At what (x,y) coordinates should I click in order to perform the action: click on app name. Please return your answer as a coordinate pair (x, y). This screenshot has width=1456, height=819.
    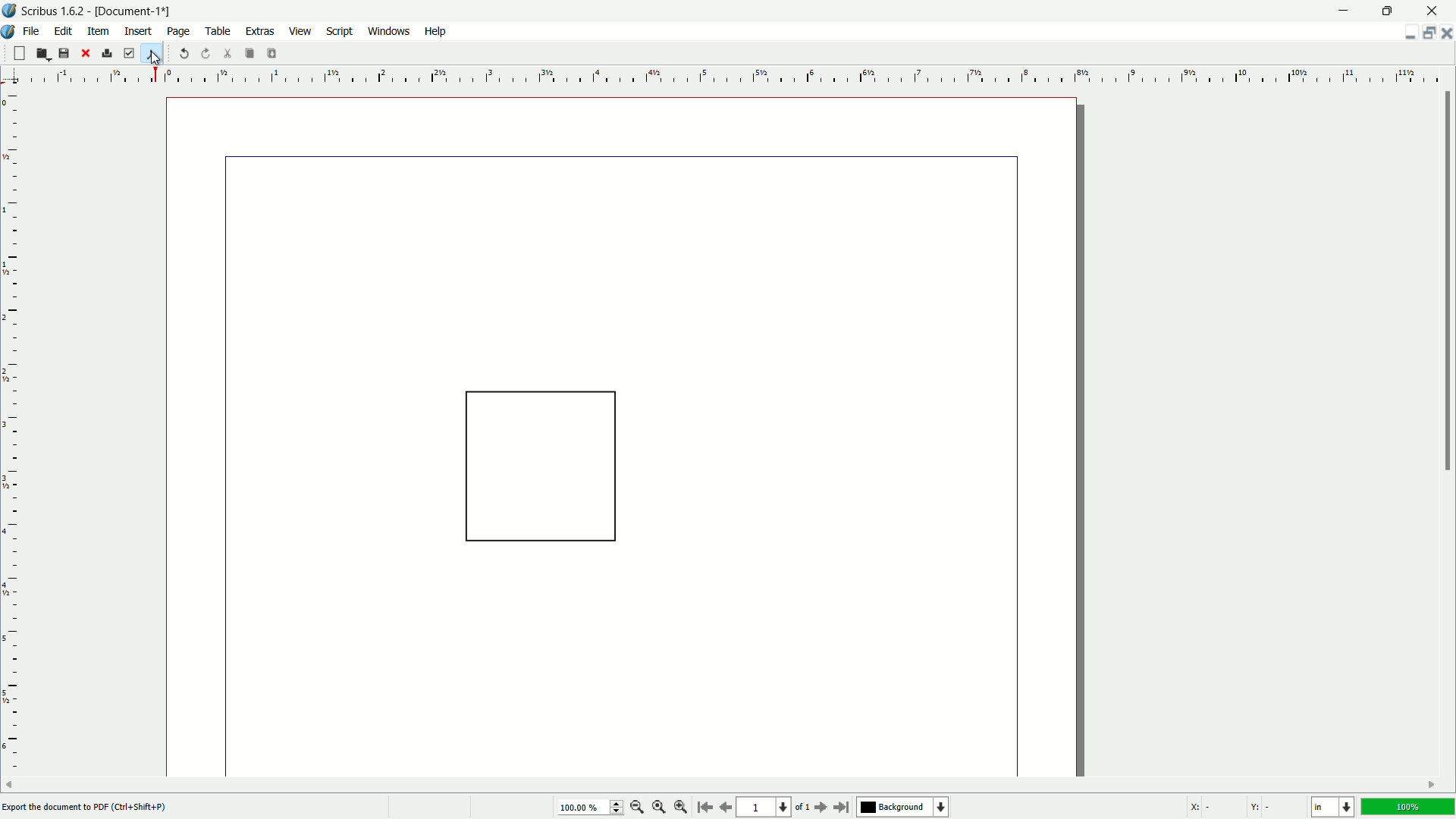
    Looking at the image, I should click on (53, 11).